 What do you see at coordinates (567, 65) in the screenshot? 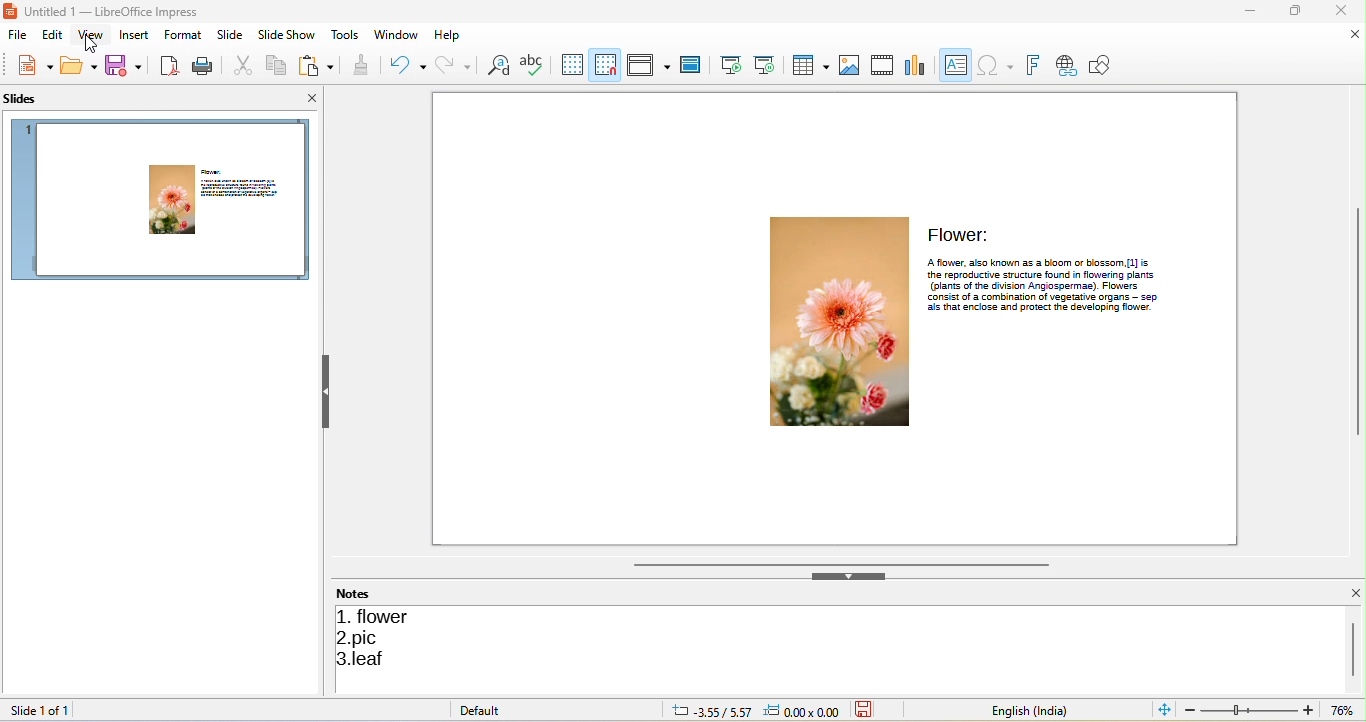
I see `display grids` at bounding box center [567, 65].